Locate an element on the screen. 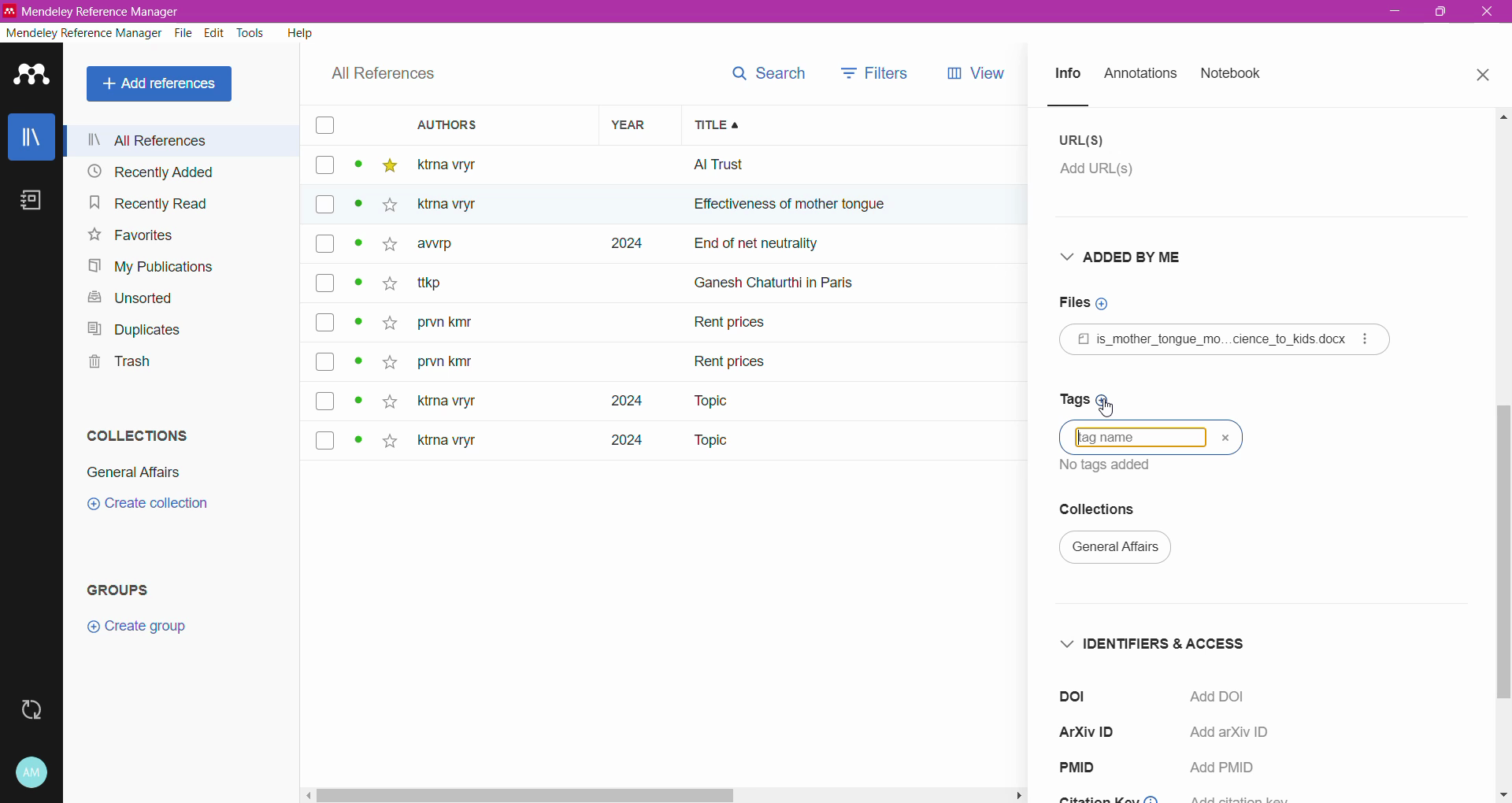 Image resolution: width=1512 pixels, height=803 pixels. Last sync is located at coordinates (31, 710).